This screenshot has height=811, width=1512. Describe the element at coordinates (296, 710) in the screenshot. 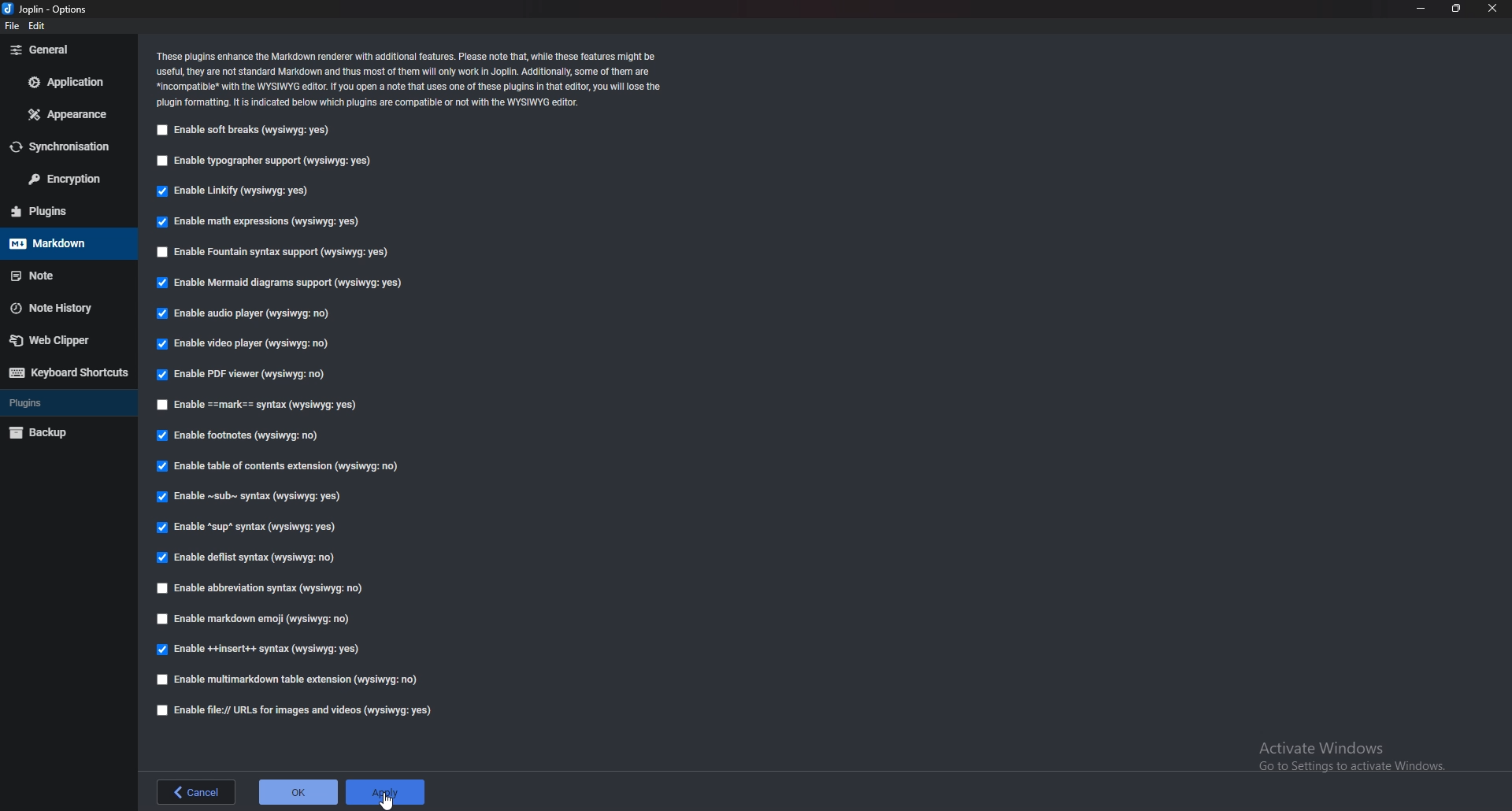

I see `Enable file urls for images and videos` at that location.